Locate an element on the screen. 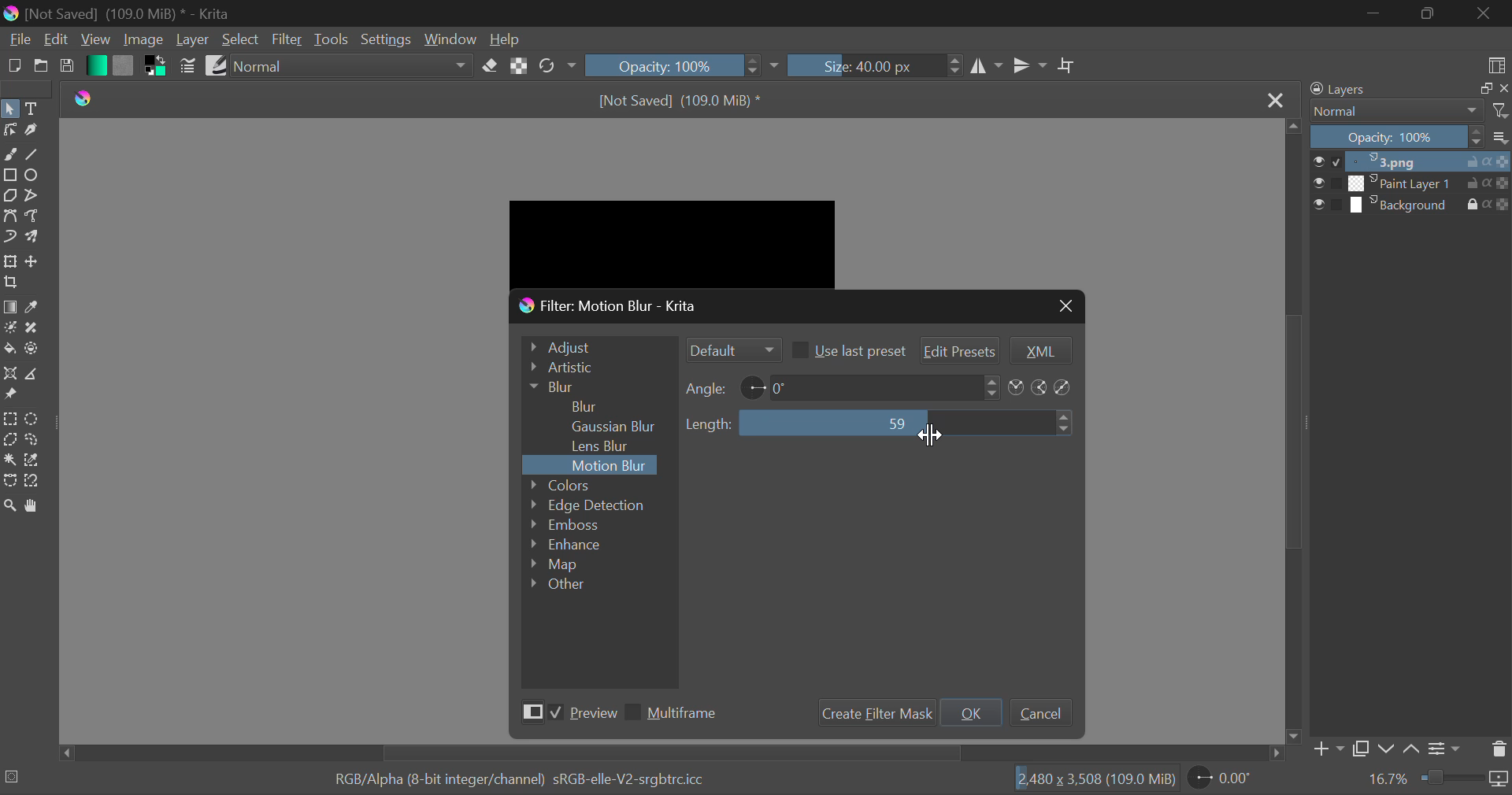 The width and height of the screenshot is (1512, 795). Crop is located at coordinates (11, 283).